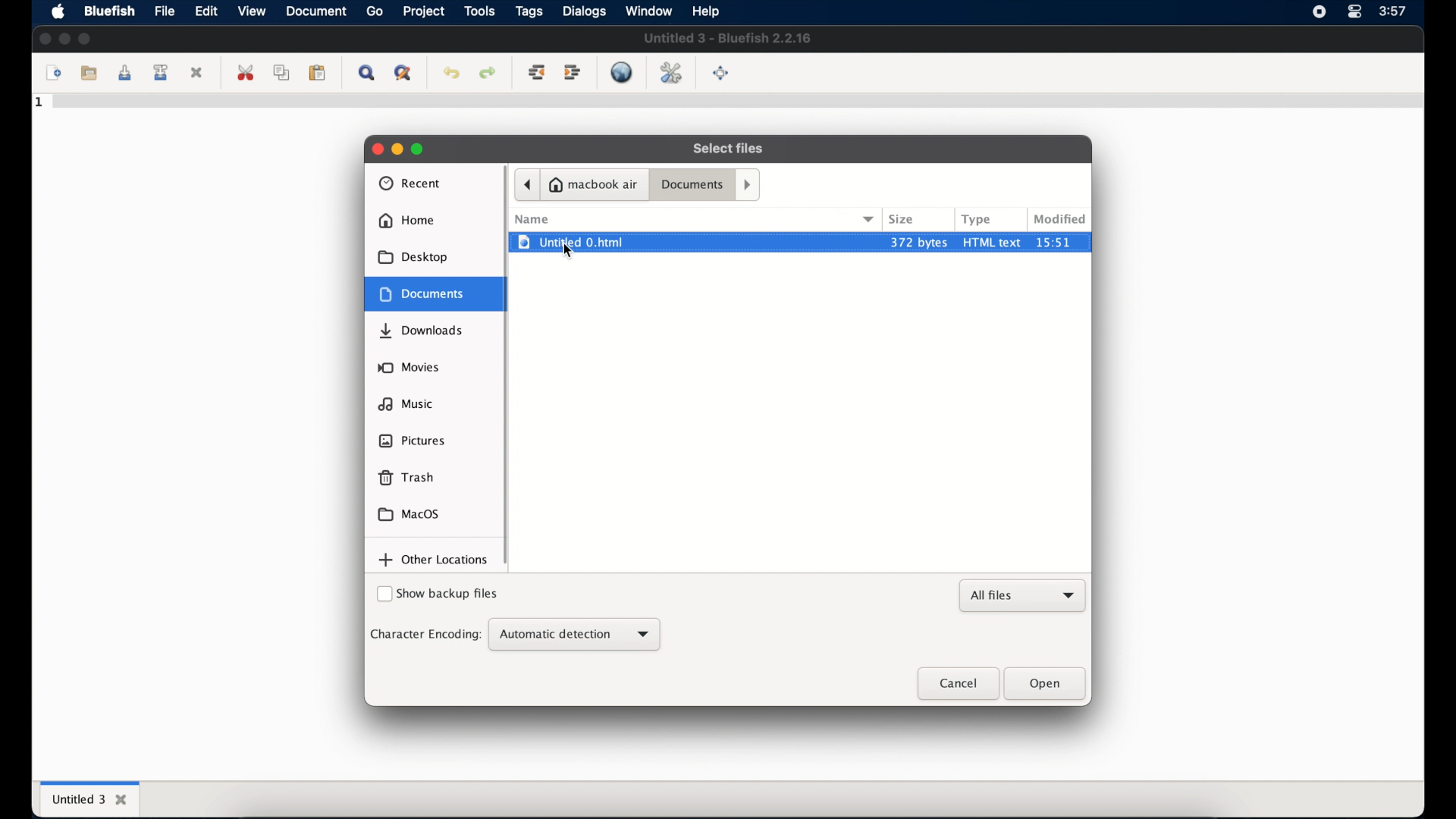 The image size is (1456, 819). Describe the element at coordinates (397, 149) in the screenshot. I see `minimize` at that location.